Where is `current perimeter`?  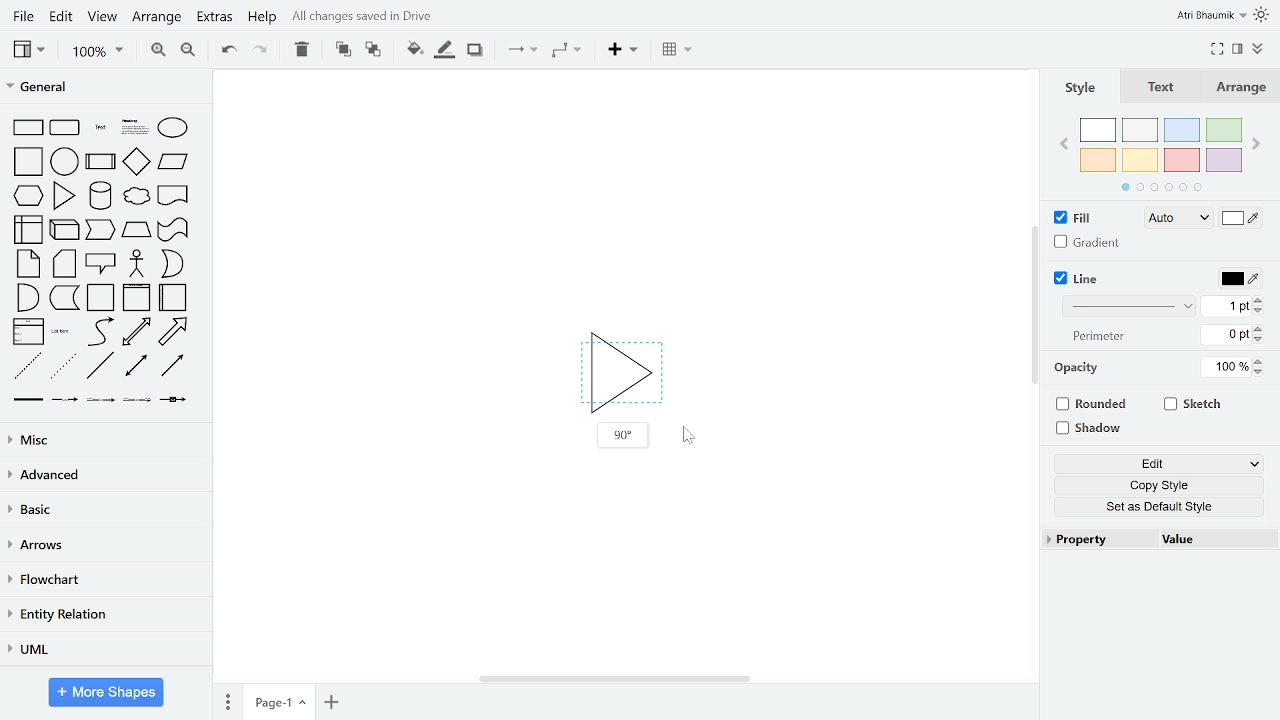
current perimeter is located at coordinates (1226, 335).